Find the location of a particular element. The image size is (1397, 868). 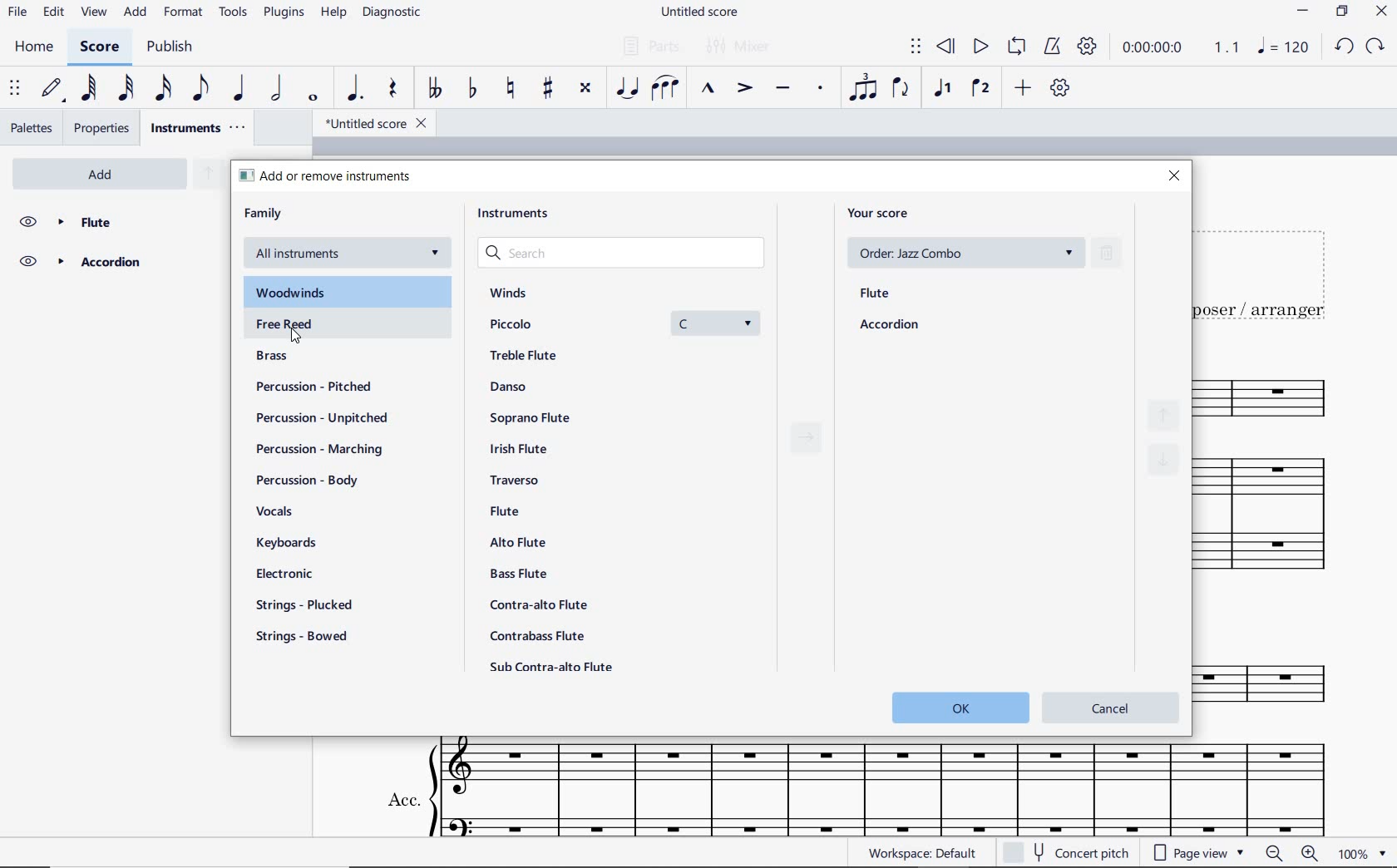

RESTORE DOWN is located at coordinates (1341, 12).